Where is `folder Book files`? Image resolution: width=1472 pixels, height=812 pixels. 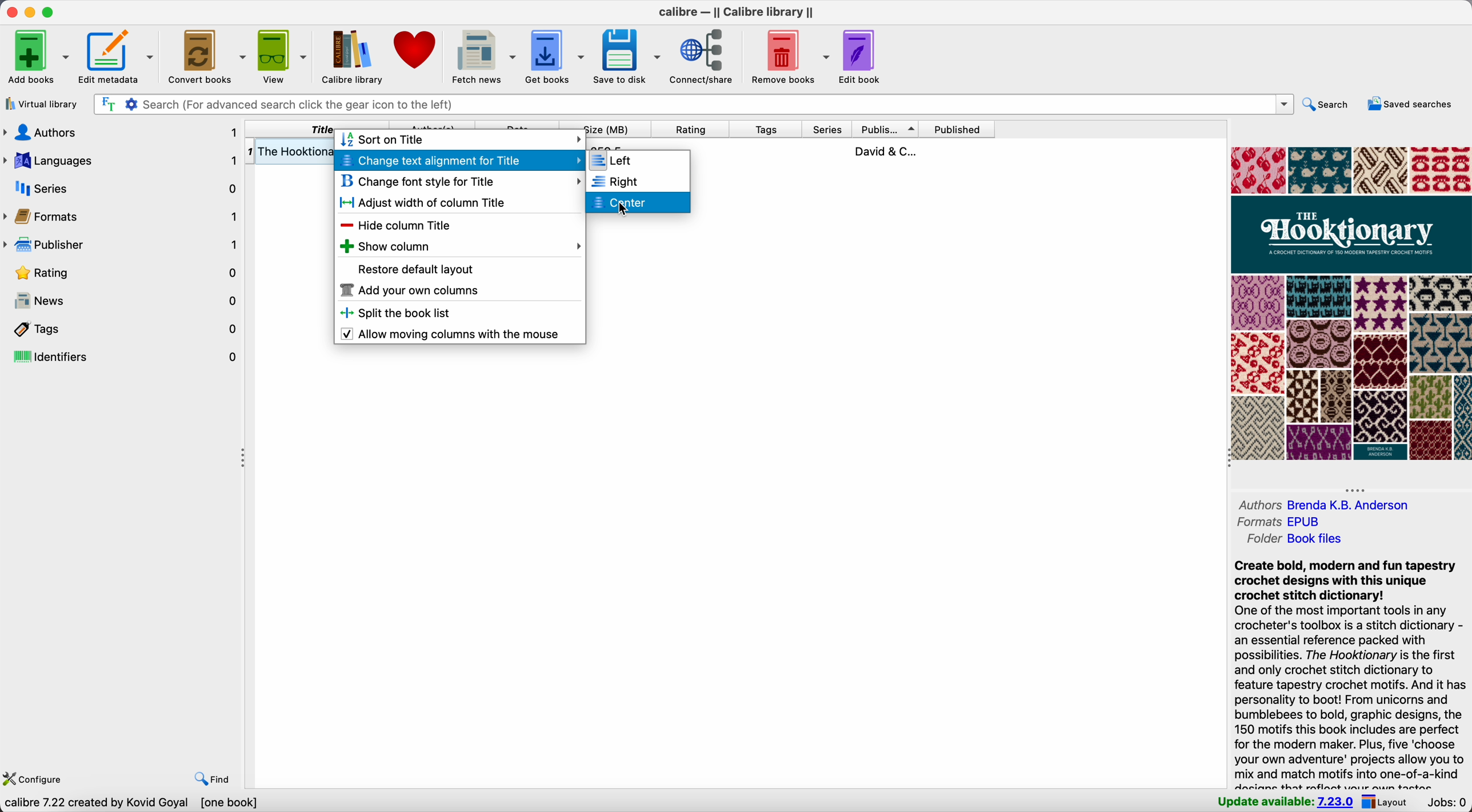
folder Book files is located at coordinates (1294, 539).